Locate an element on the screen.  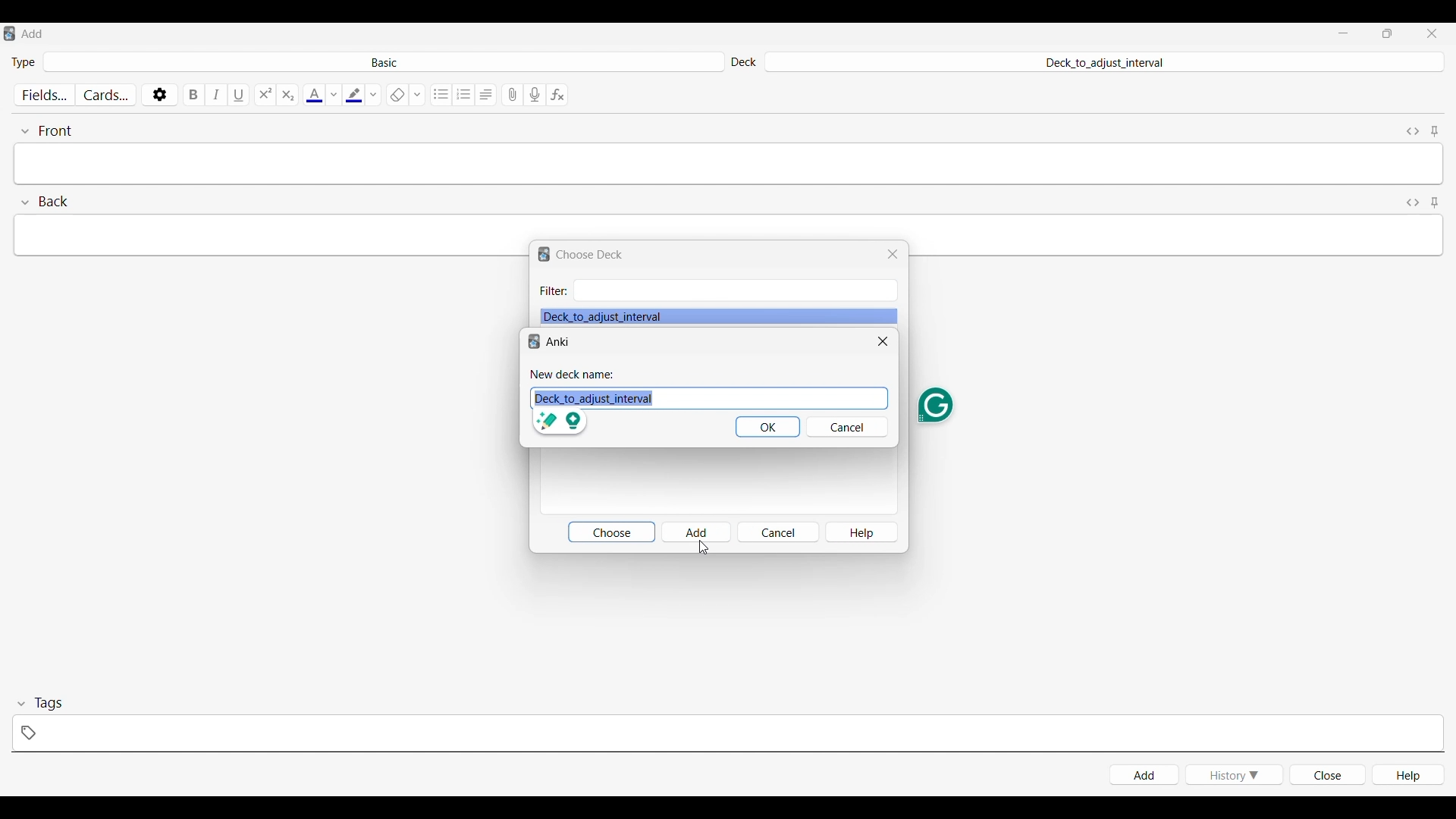
Toggle HTML editor is located at coordinates (1414, 203).